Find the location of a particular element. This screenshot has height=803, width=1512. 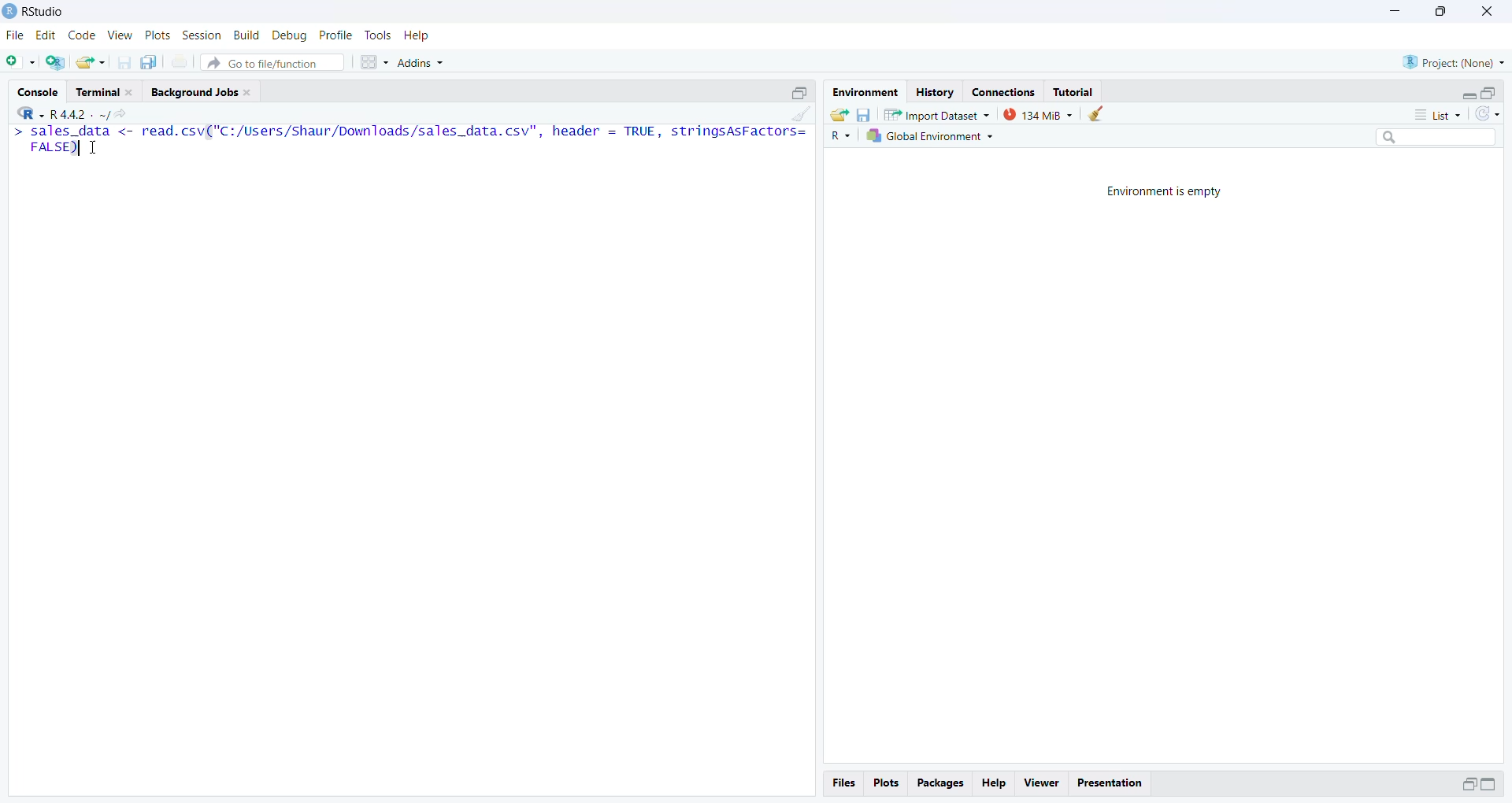

Code is located at coordinates (83, 38).